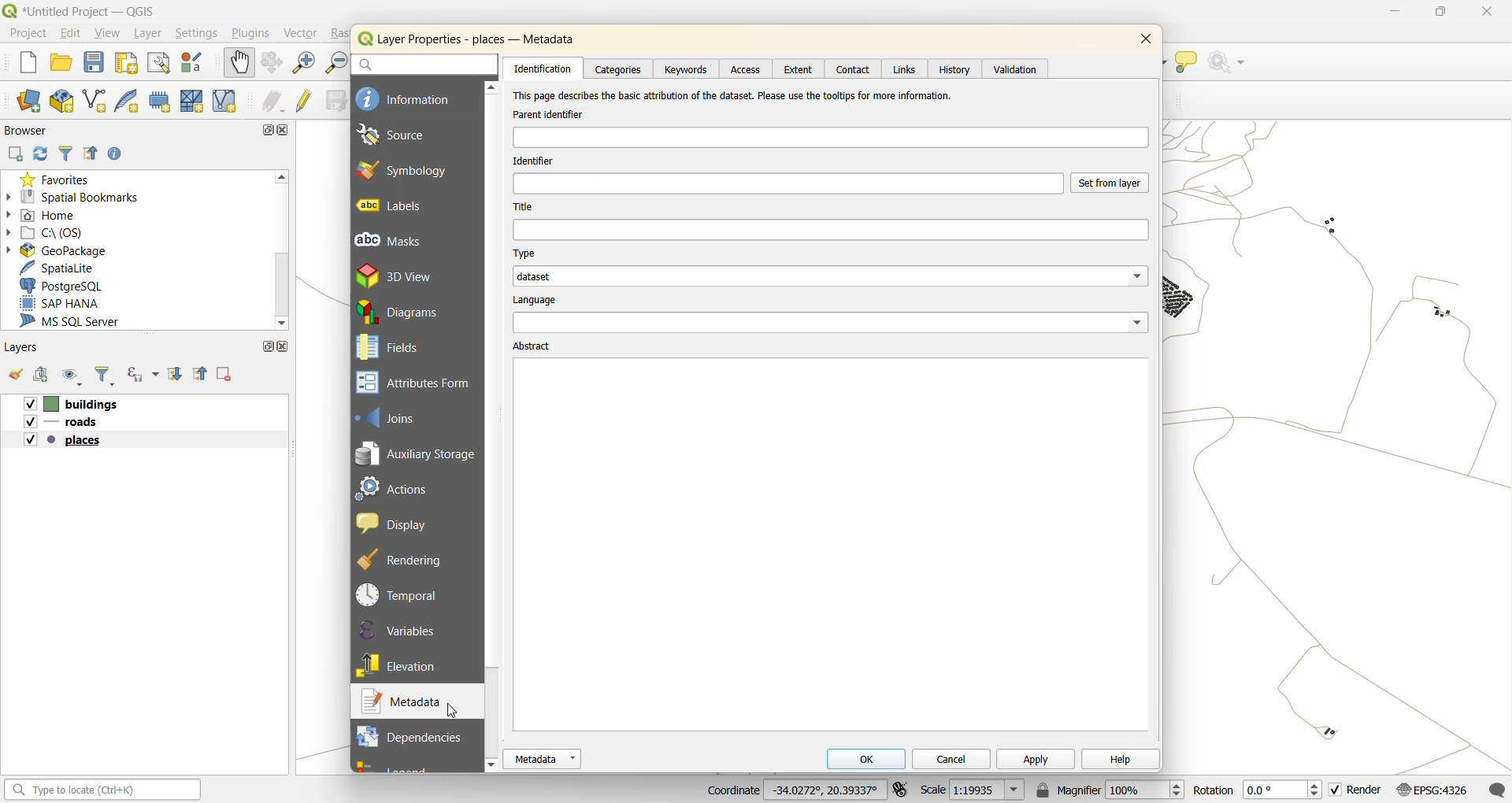 The image size is (1512, 803). I want to click on masks, so click(398, 240).